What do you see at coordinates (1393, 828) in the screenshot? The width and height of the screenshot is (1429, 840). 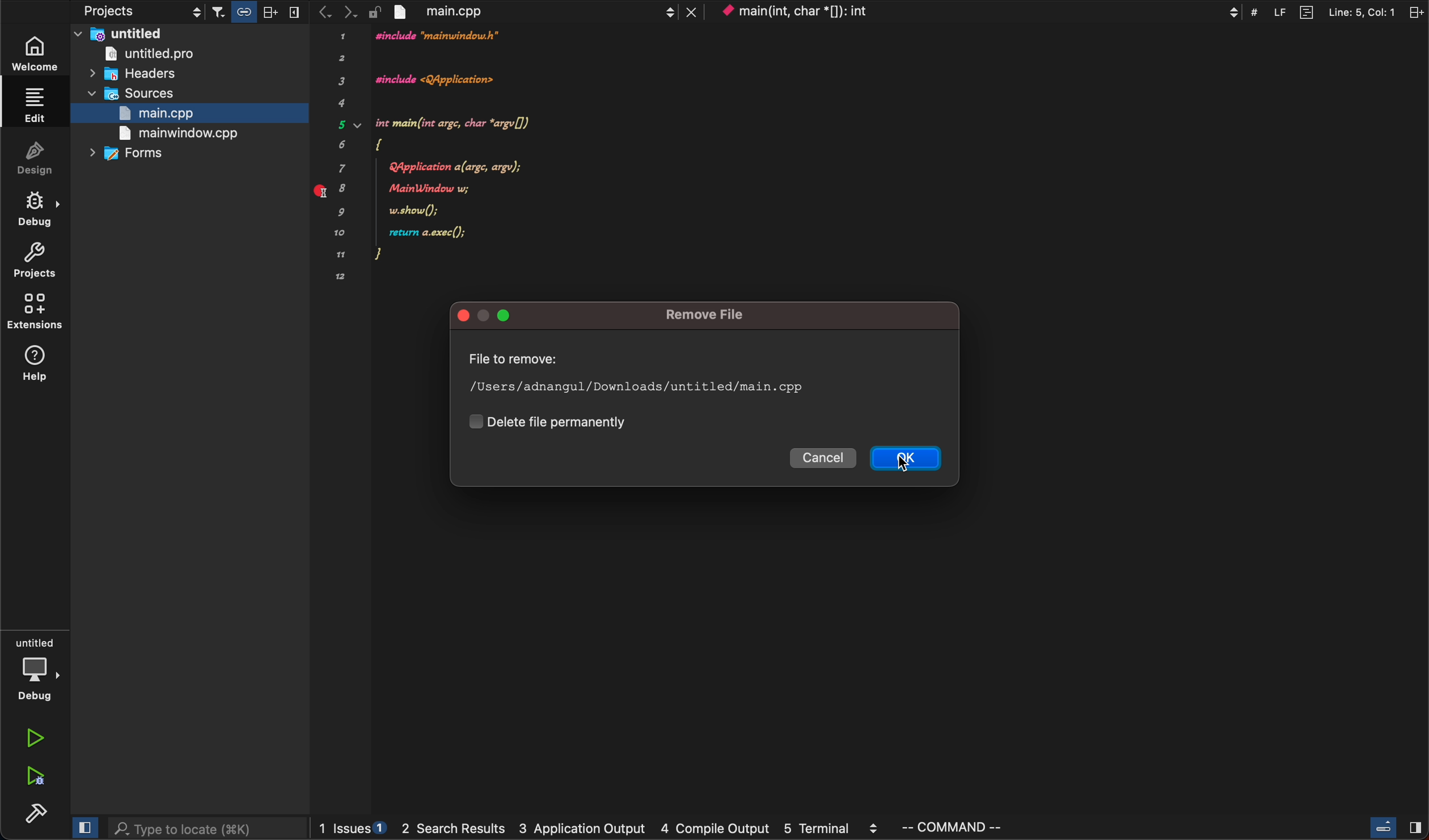 I see `close slide bar` at bounding box center [1393, 828].